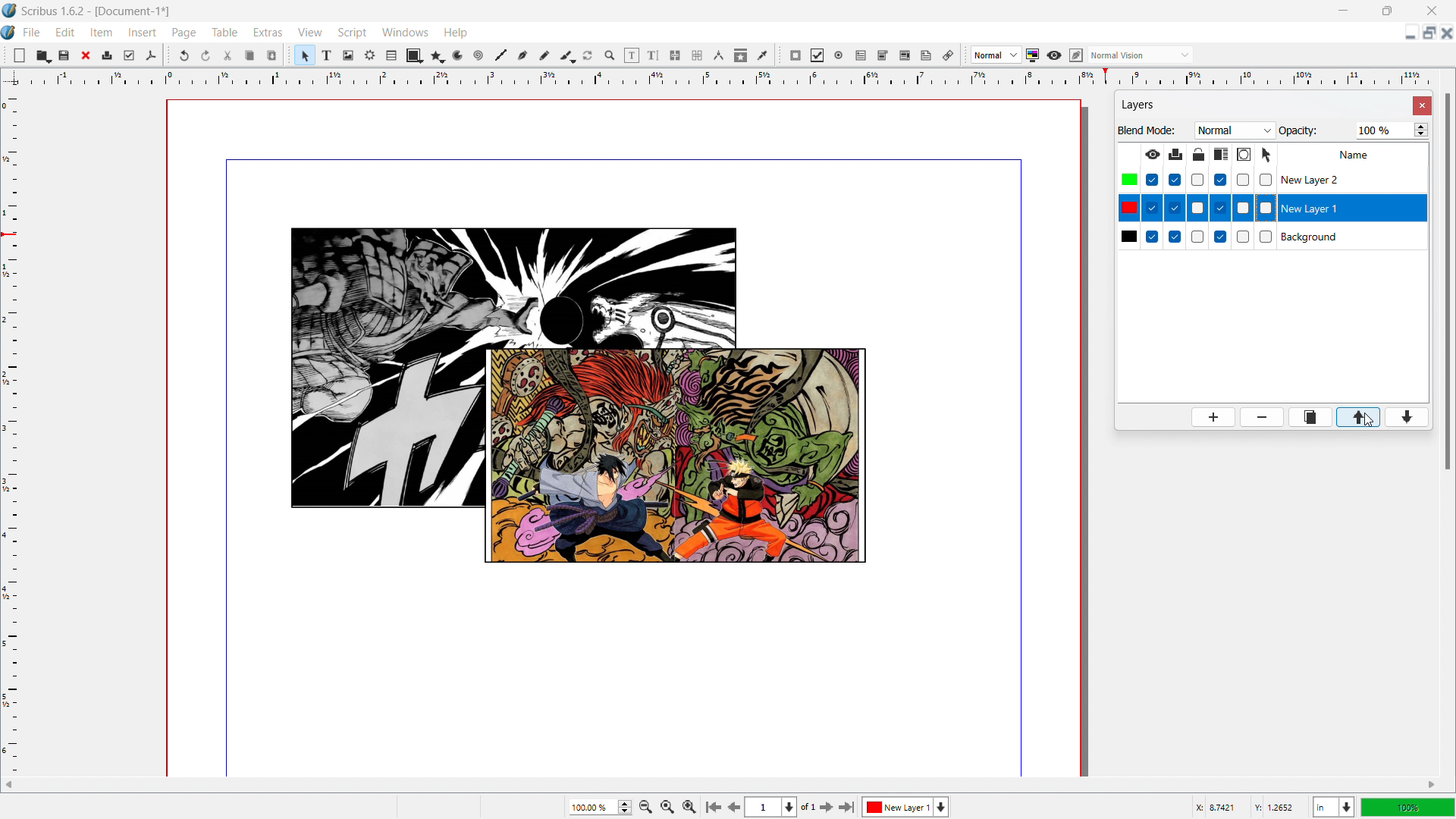 Image resolution: width=1456 pixels, height=819 pixels. I want to click on edit in preview mode, so click(1076, 55).